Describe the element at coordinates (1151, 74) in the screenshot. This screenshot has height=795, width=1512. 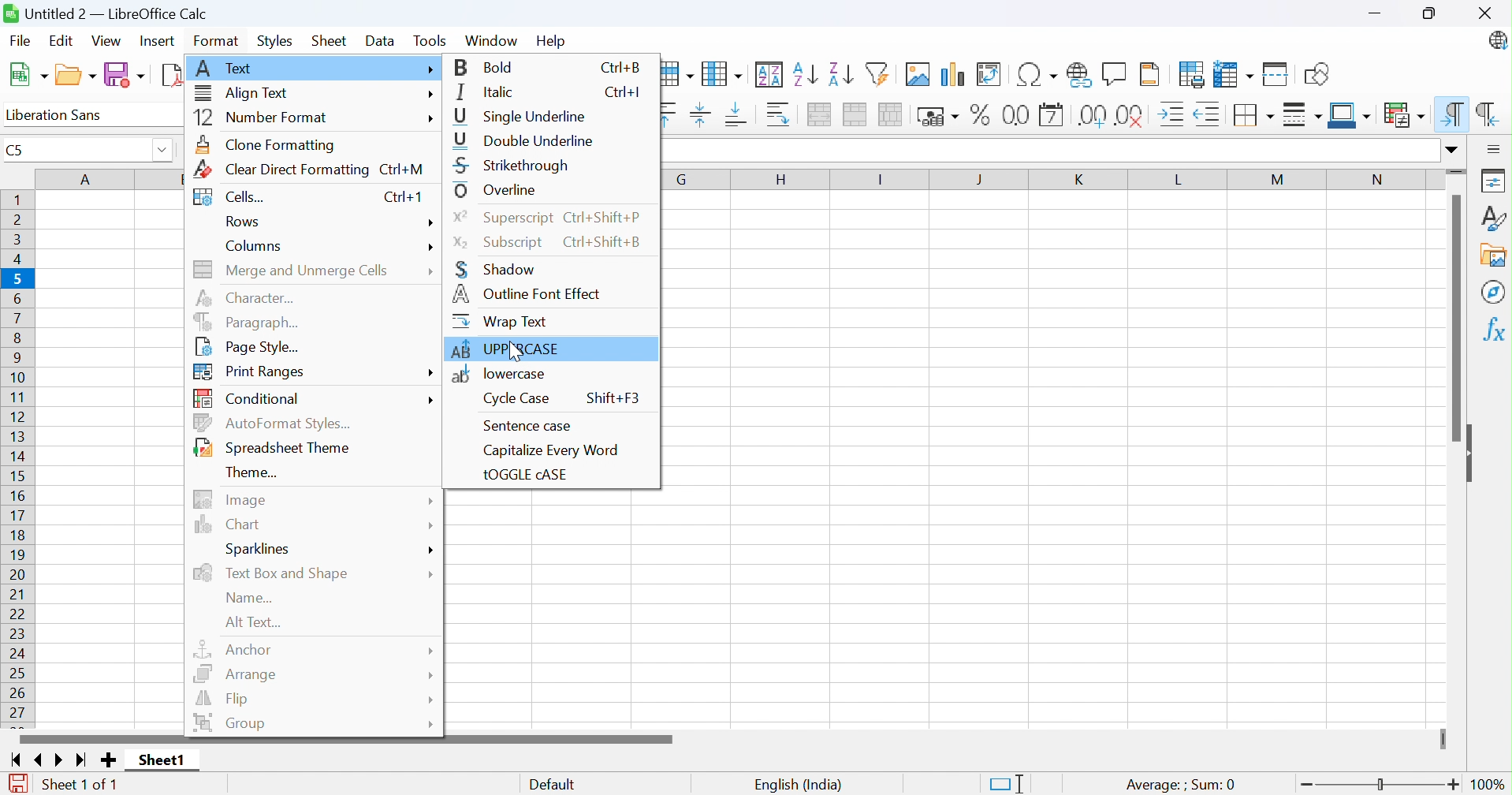
I see `Headers and footers` at that location.